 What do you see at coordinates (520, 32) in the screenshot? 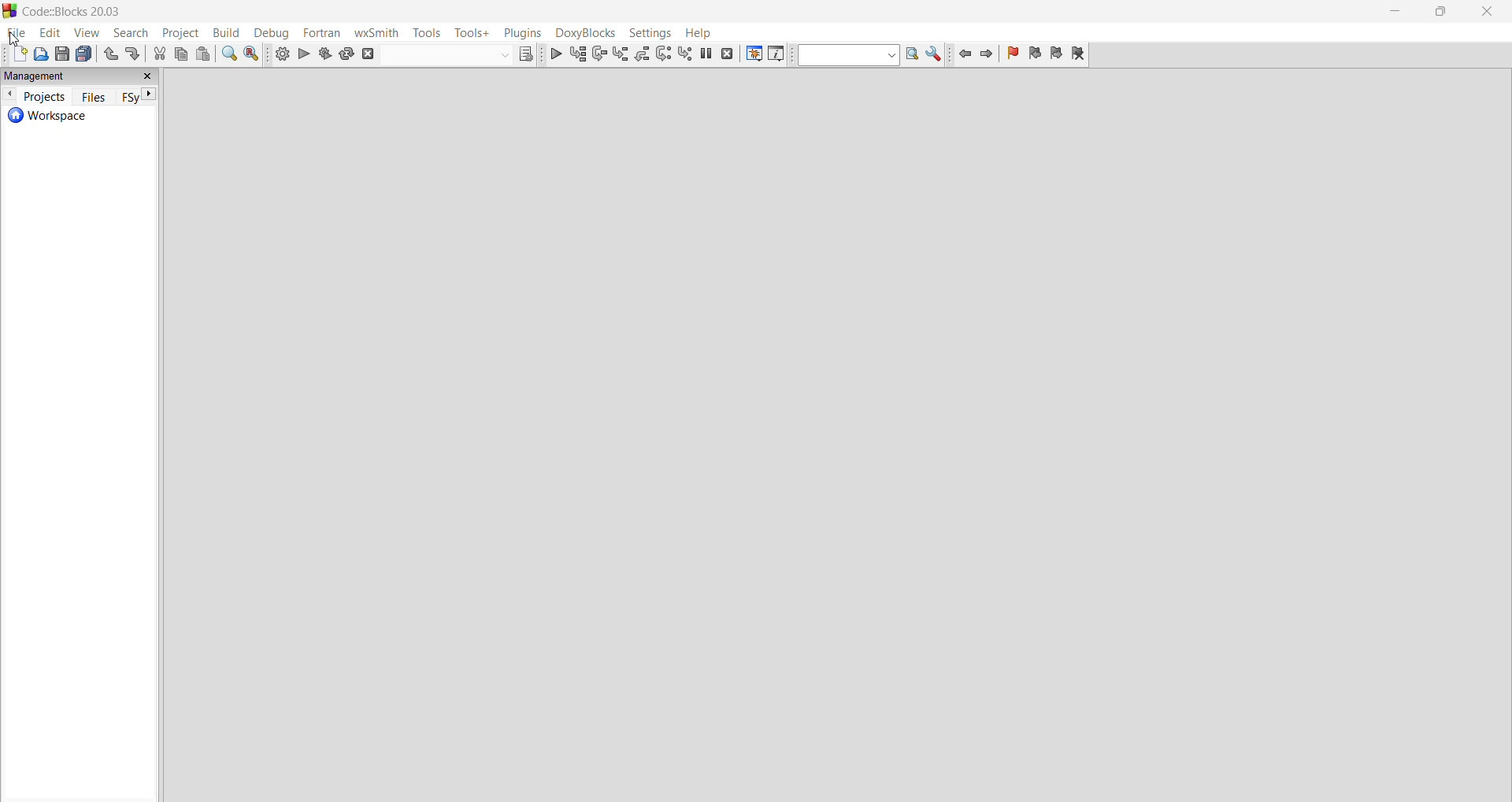
I see `plugins` at bounding box center [520, 32].